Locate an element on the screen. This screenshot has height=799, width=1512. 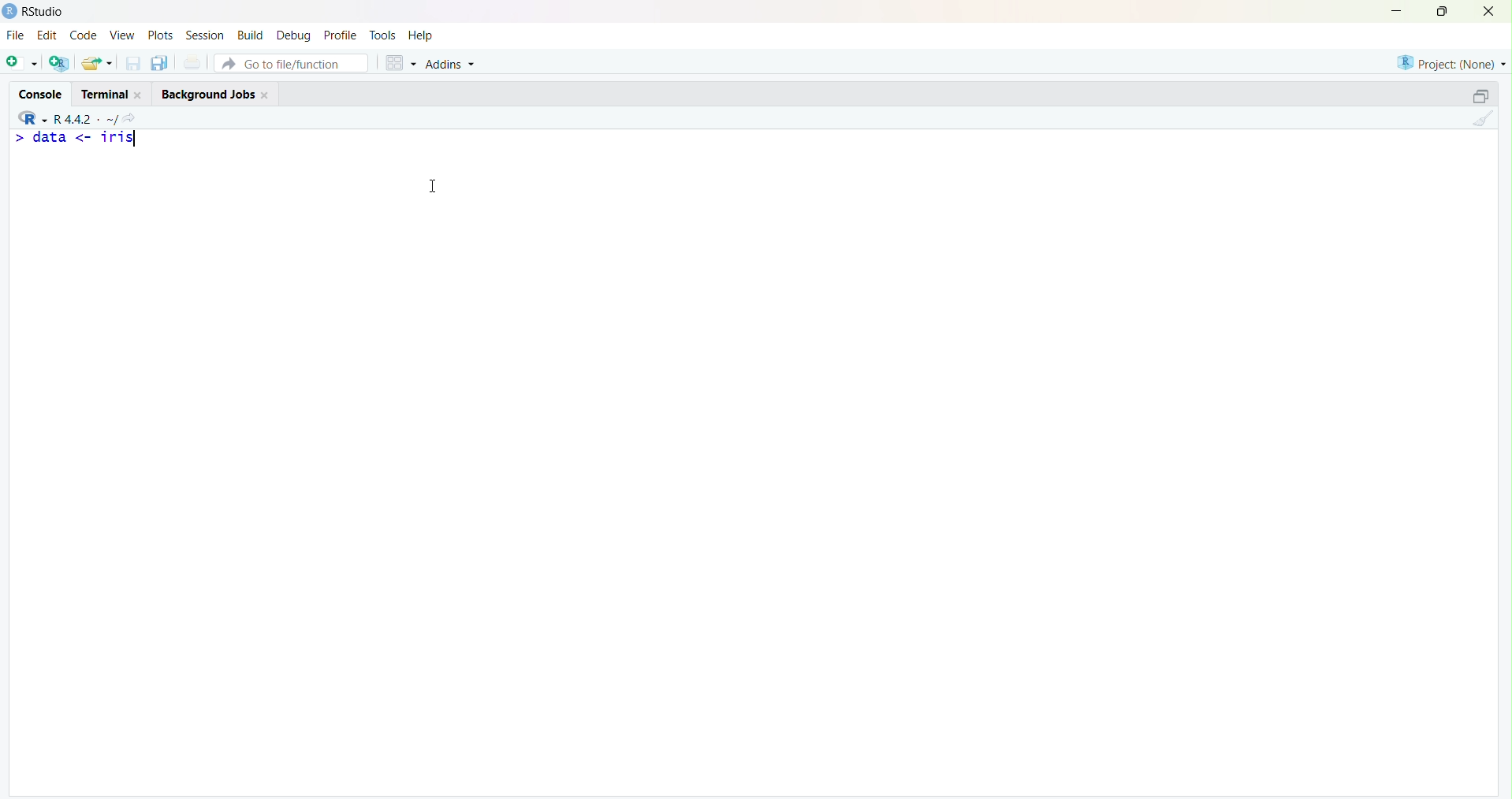
Prompt cursor is located at coordinates (18, 139).